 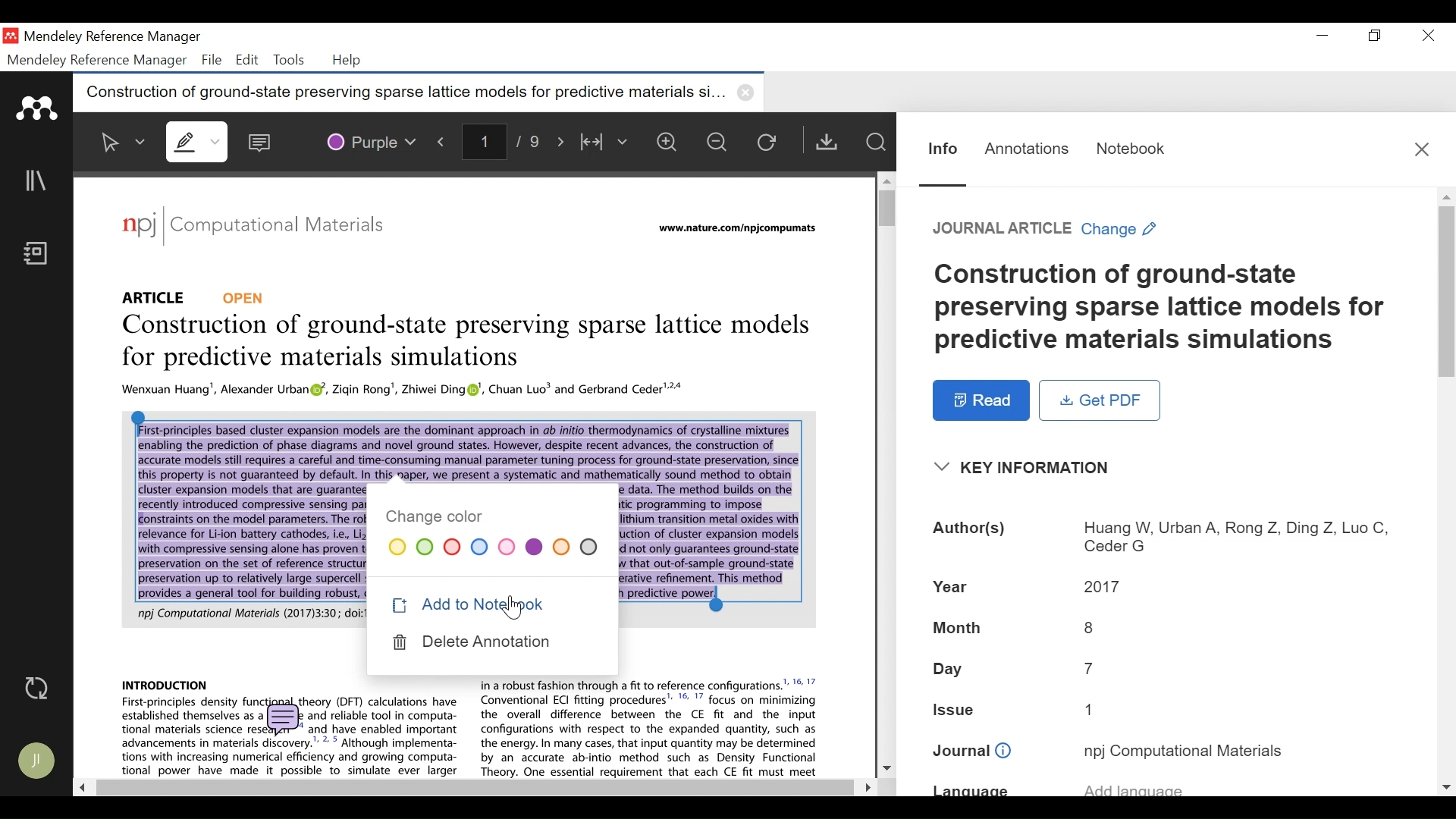 What do you see at coordinates (507, 140) in the screenshot?
I see `page number/total number of pages` at bounding box center [507, 140].